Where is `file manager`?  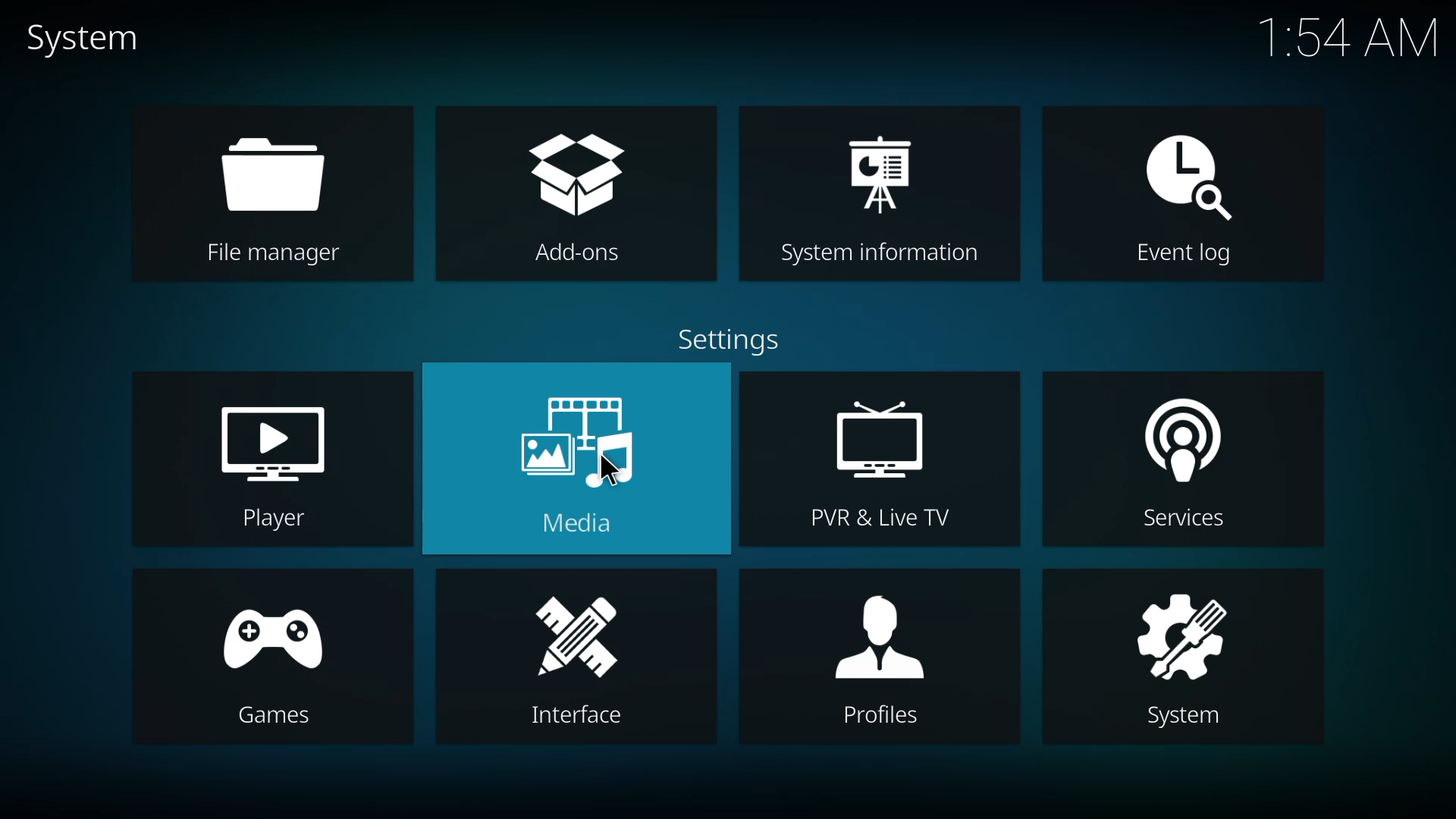 file manager is located at coordinates (280, 193).